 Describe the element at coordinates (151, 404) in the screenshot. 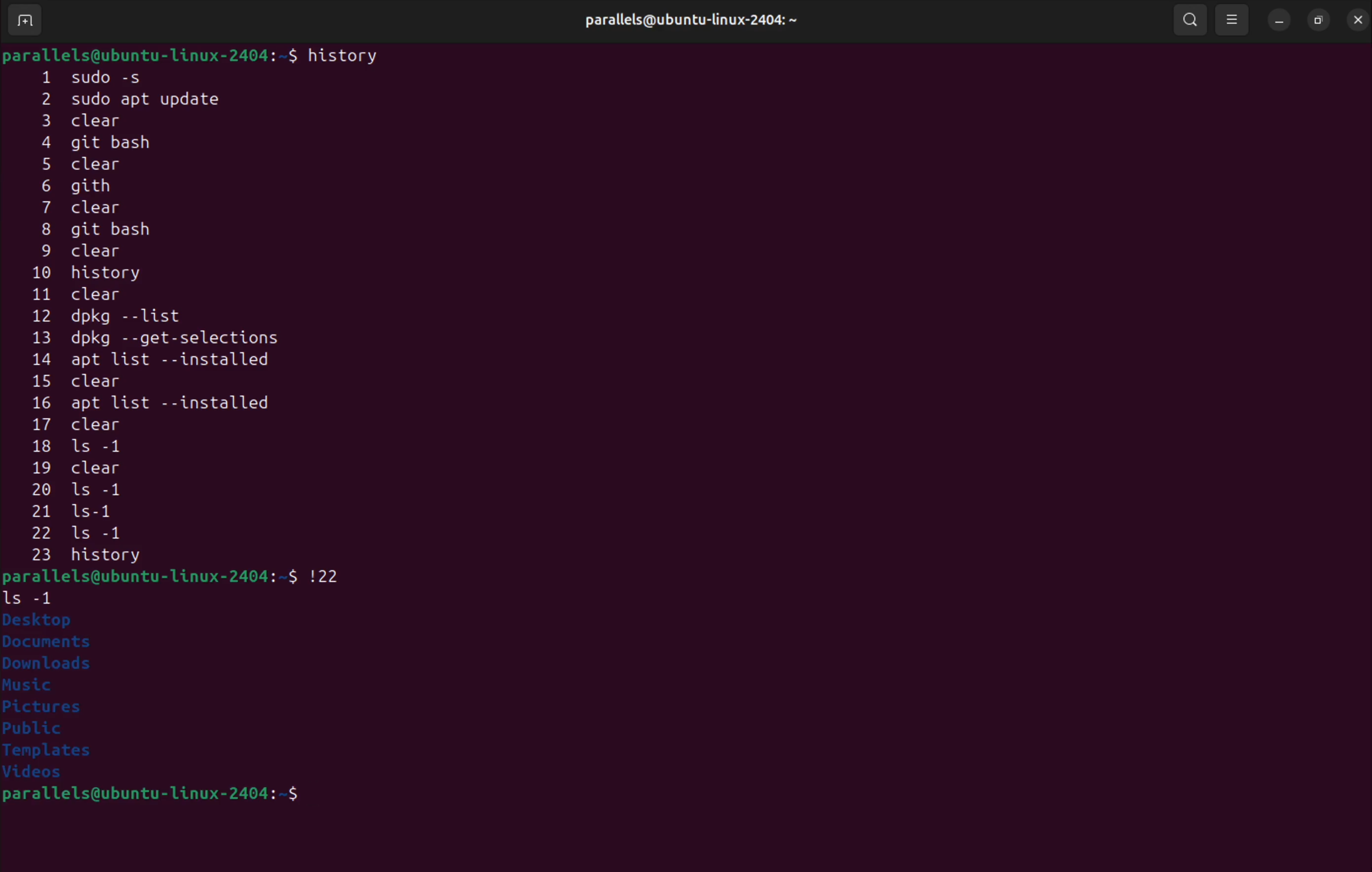

I see `16 apt list installed` at that location.